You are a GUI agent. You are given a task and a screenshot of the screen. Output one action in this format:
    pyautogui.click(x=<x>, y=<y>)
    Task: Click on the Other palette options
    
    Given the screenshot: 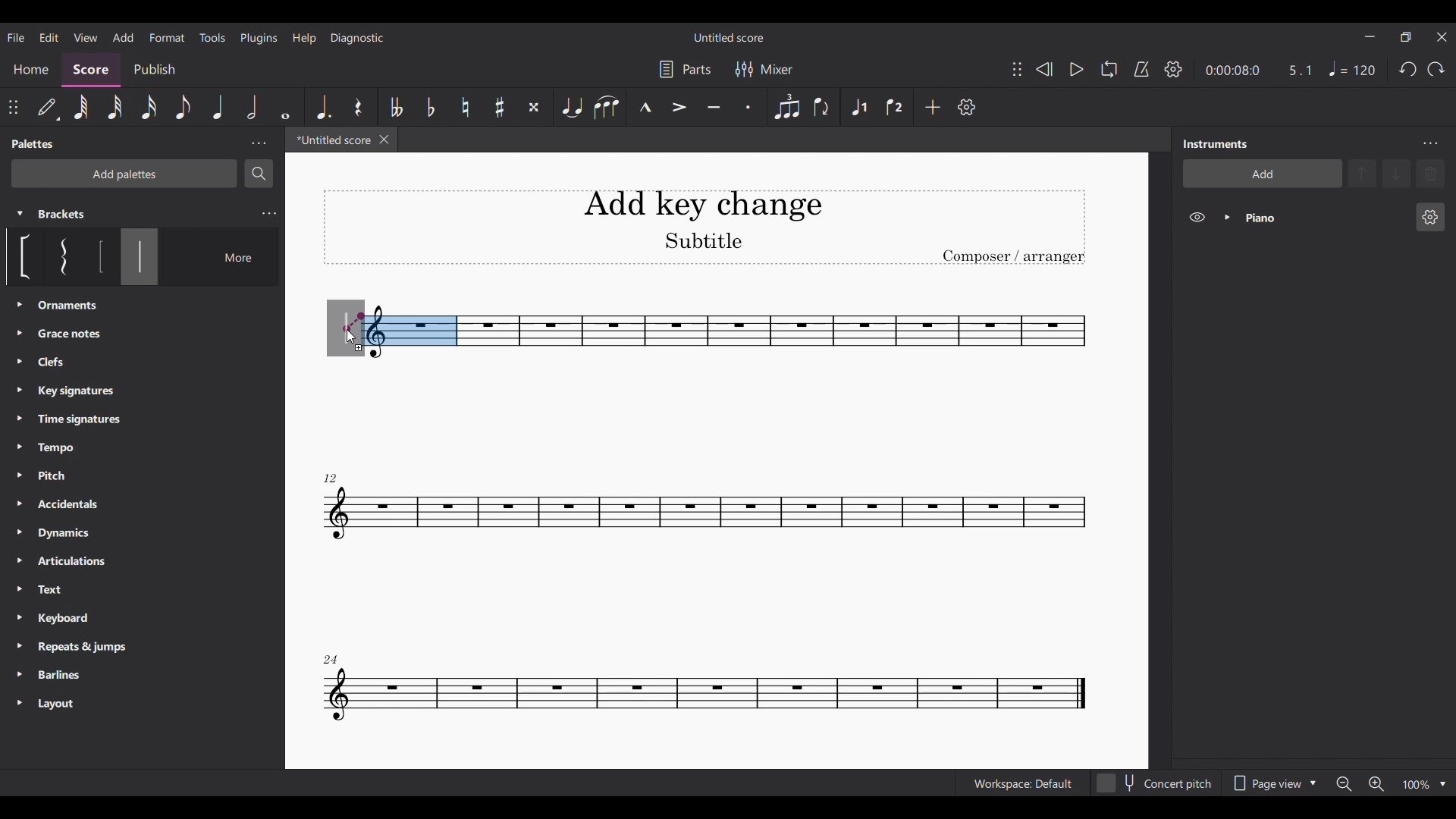 What is the action you would take?
    pyautogui.click(x=77, y=505)
    